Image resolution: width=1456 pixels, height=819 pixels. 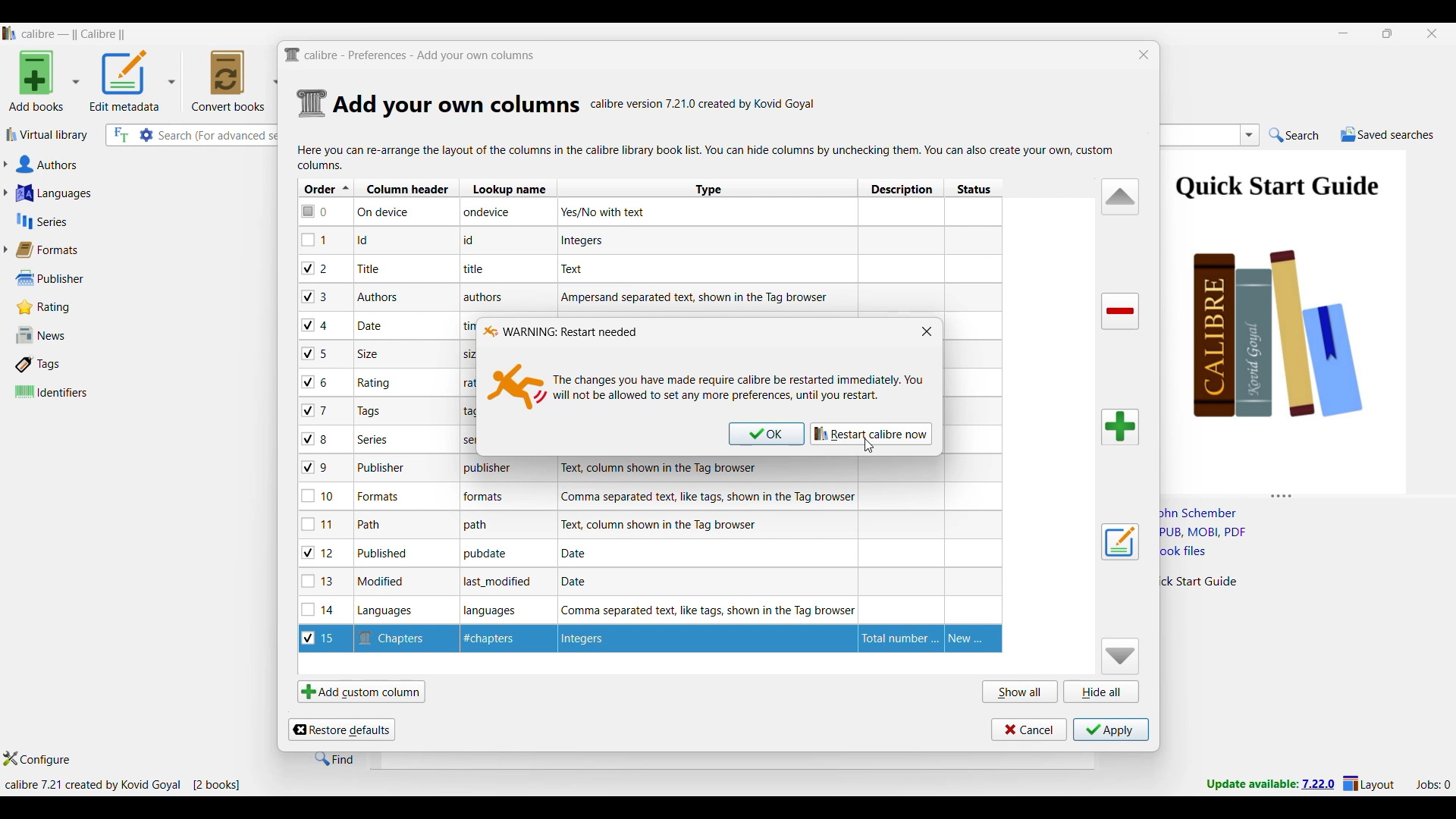 What do you see at coordinates (315, 325) in the screenshot?
I see `checkbox - 4` at bounding box center [315, 325].